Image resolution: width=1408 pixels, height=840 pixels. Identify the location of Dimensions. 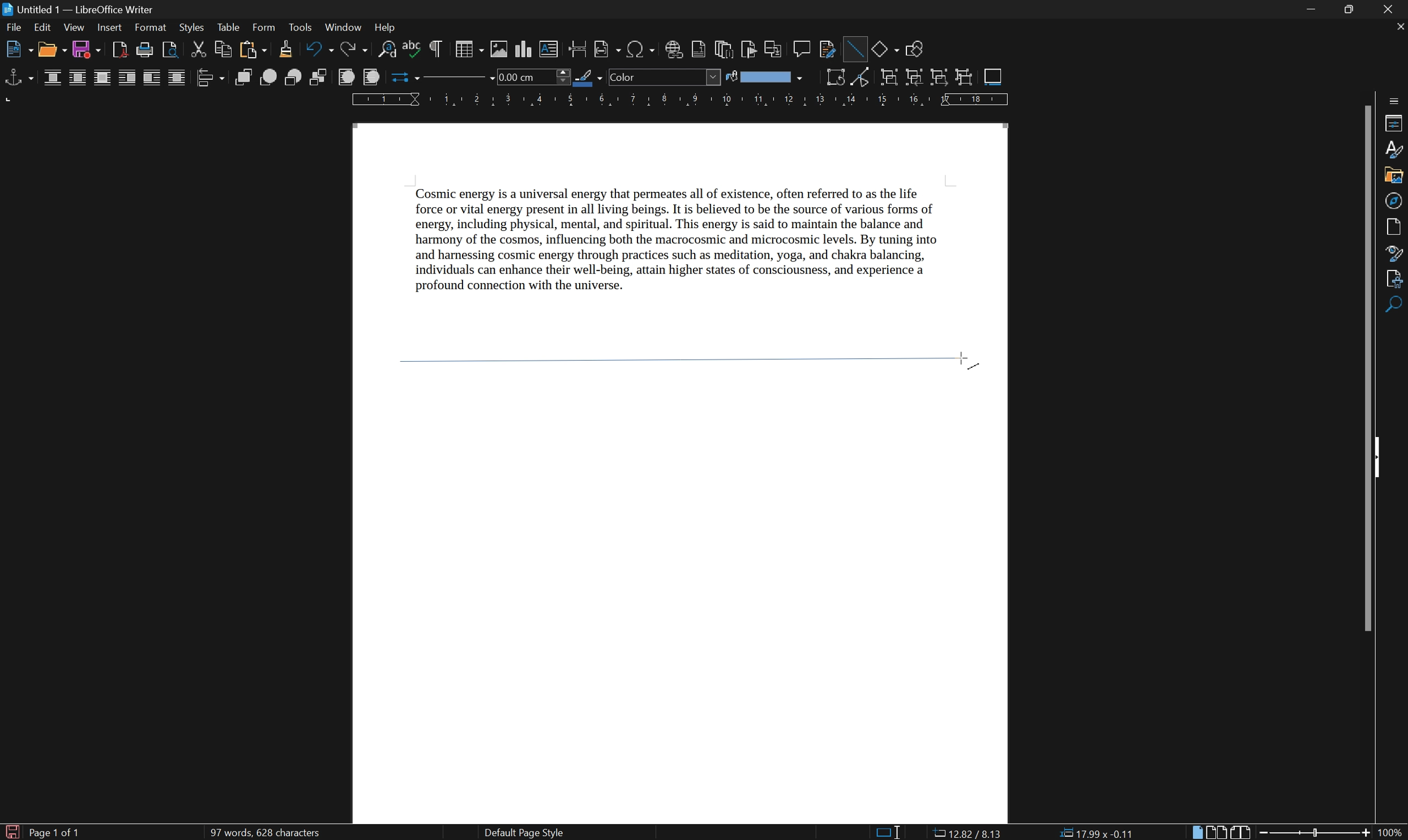
(966, 832).